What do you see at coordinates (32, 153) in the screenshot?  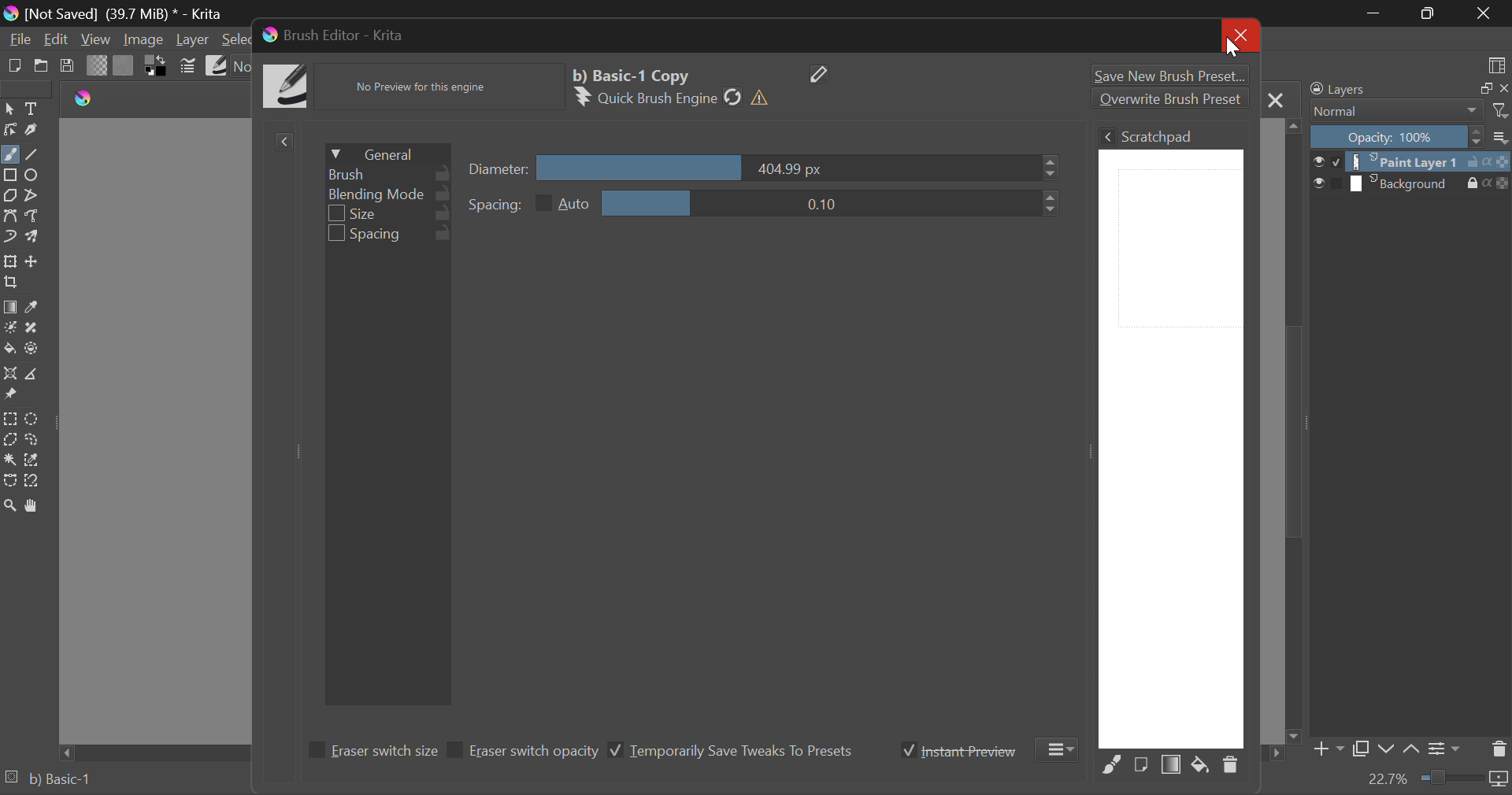 I see `Line` at bounding box center [32, 153].